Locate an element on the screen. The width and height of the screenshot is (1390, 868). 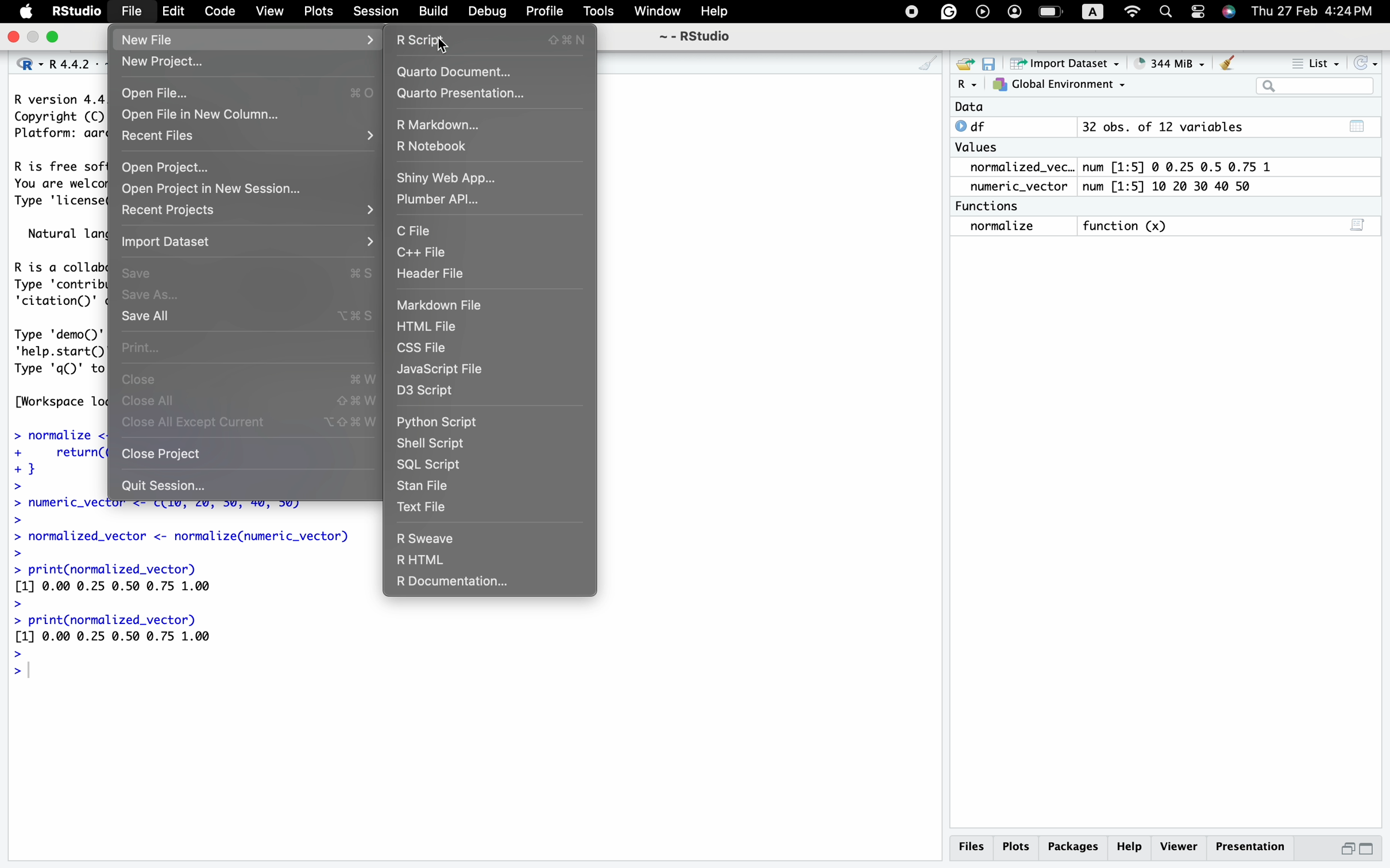
Data
O df 32 obs. of 12 variables
Values
normalized_vec.. num [1:5] @ 0.25 0.5 0.75 1
numeric_vector num [1:5] 10 20 30 40 50
Functions
normalize function (x) is located at coordinates (1120, 177).